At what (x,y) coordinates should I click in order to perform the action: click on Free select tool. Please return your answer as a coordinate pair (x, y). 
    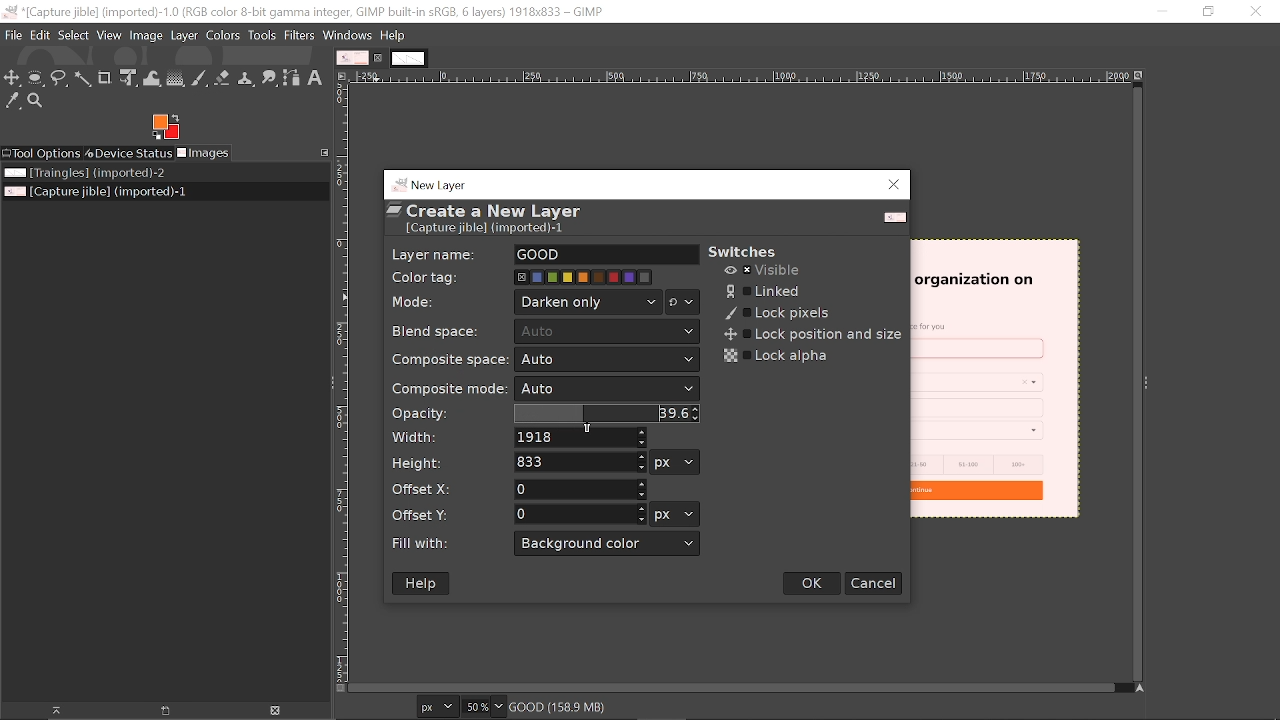
    Looking at the image, I should click on (59, 78).